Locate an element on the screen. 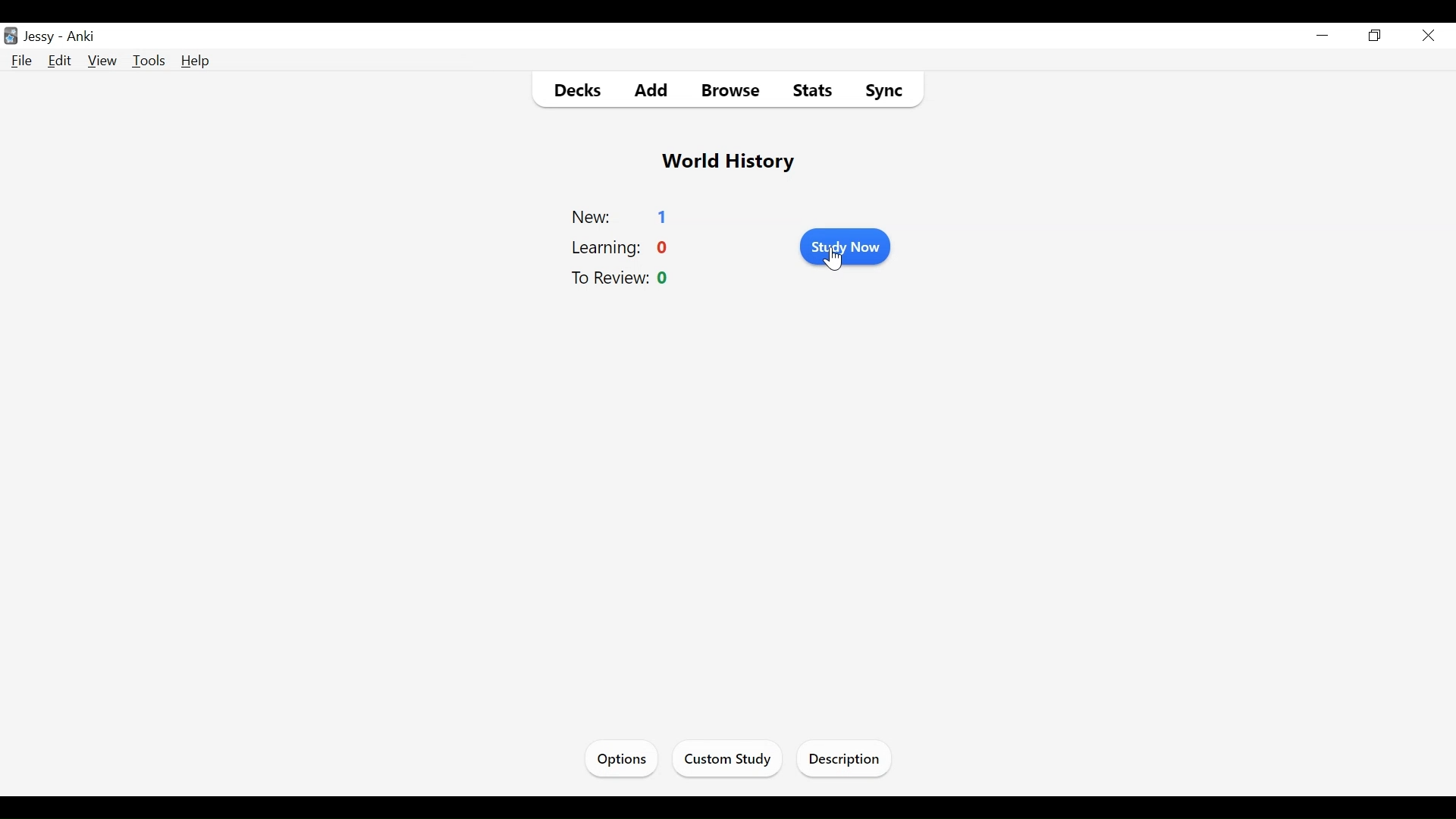 This screenshot has height=819, width=1456. Anki is located at coordinates (83, 38).